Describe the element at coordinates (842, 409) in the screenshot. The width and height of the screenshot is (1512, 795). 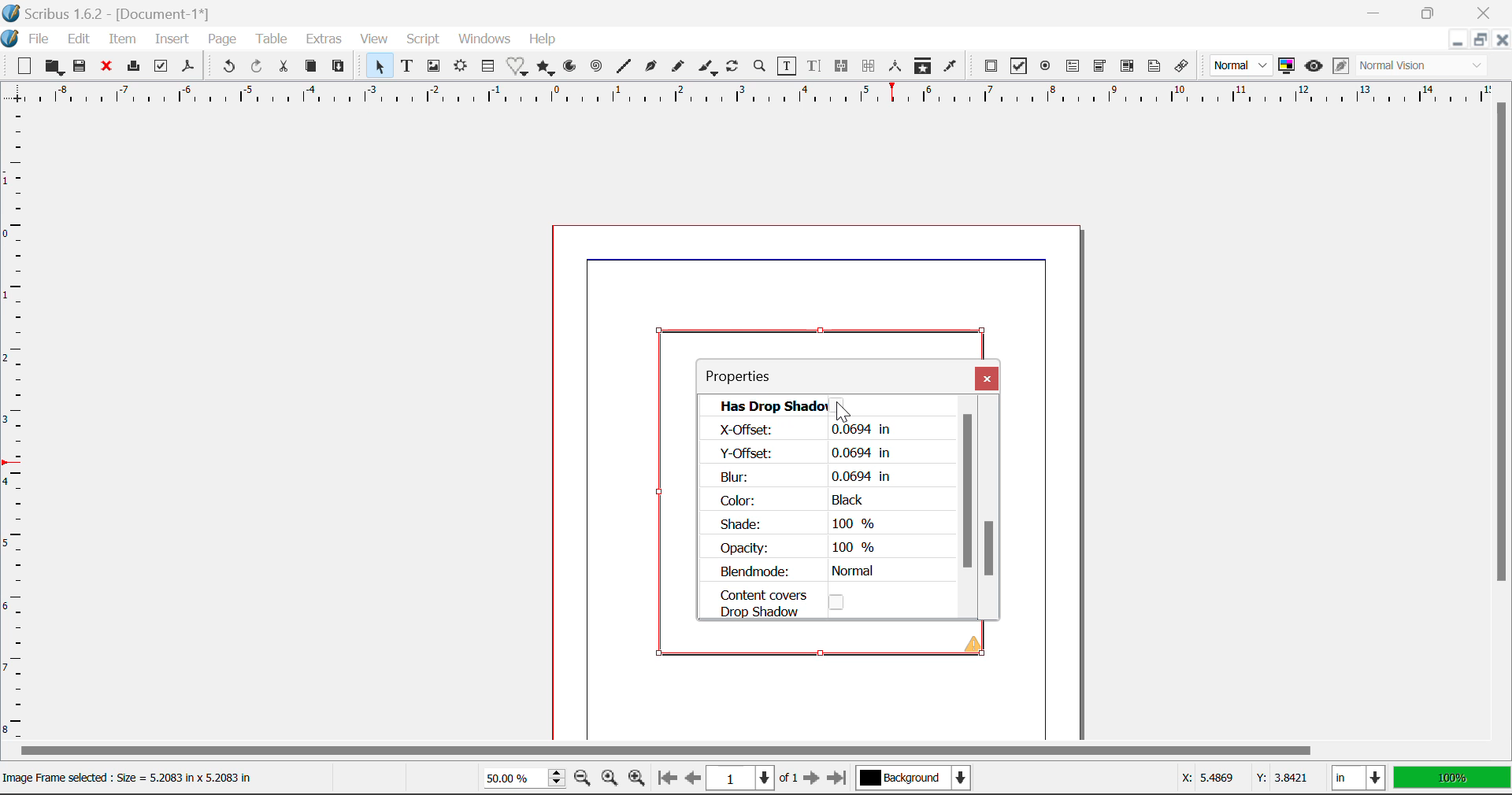
I see `Cursor Position` at that location.